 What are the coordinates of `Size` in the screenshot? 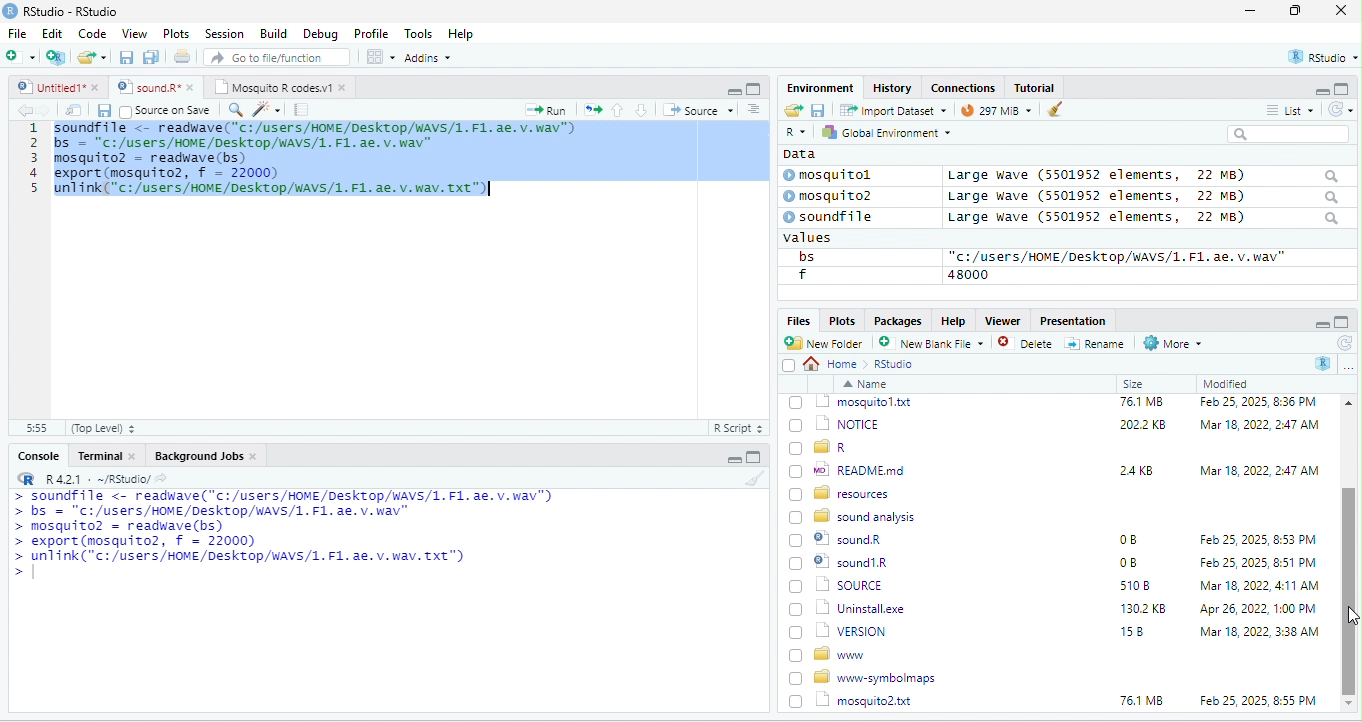 It's located at (1134, 385).